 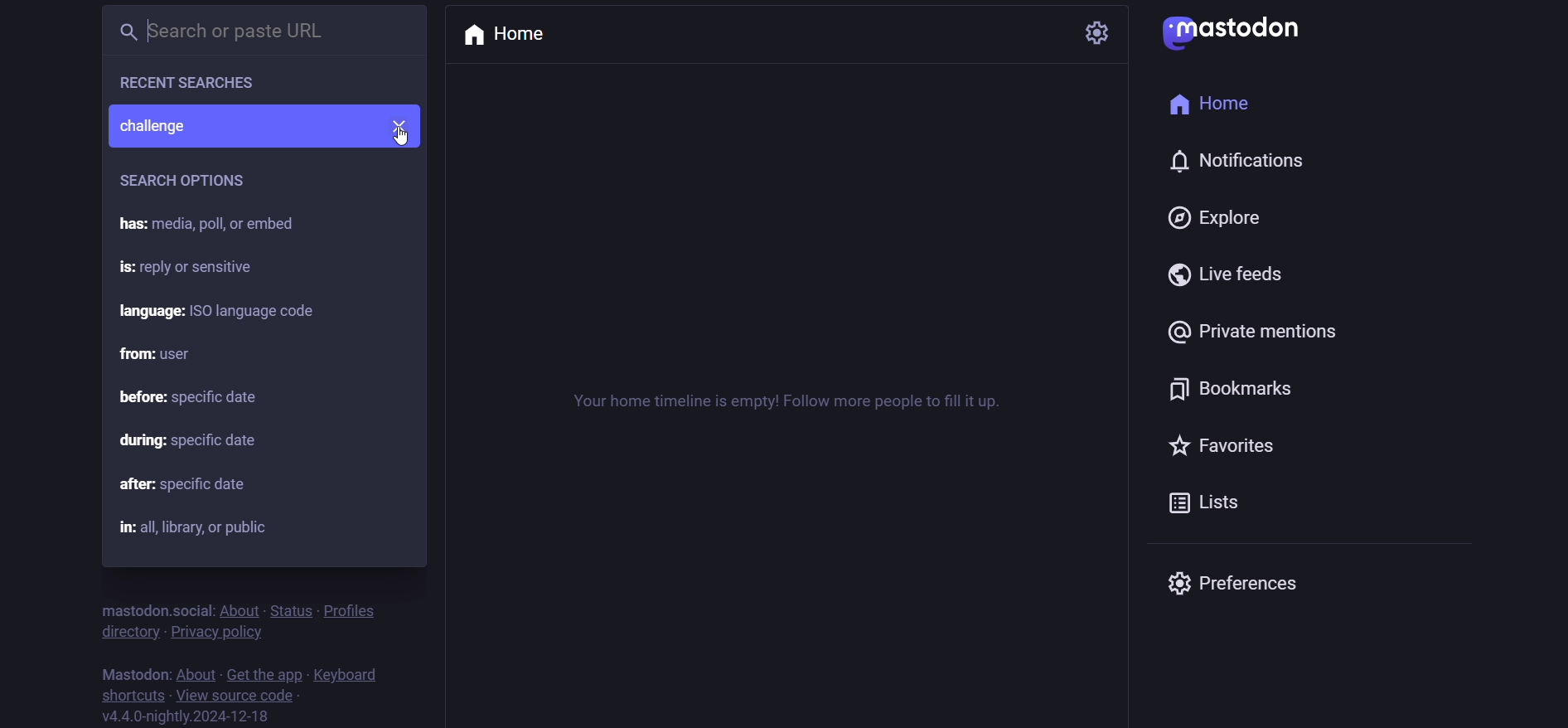 I want to click on about, so click(x=236, y=608).